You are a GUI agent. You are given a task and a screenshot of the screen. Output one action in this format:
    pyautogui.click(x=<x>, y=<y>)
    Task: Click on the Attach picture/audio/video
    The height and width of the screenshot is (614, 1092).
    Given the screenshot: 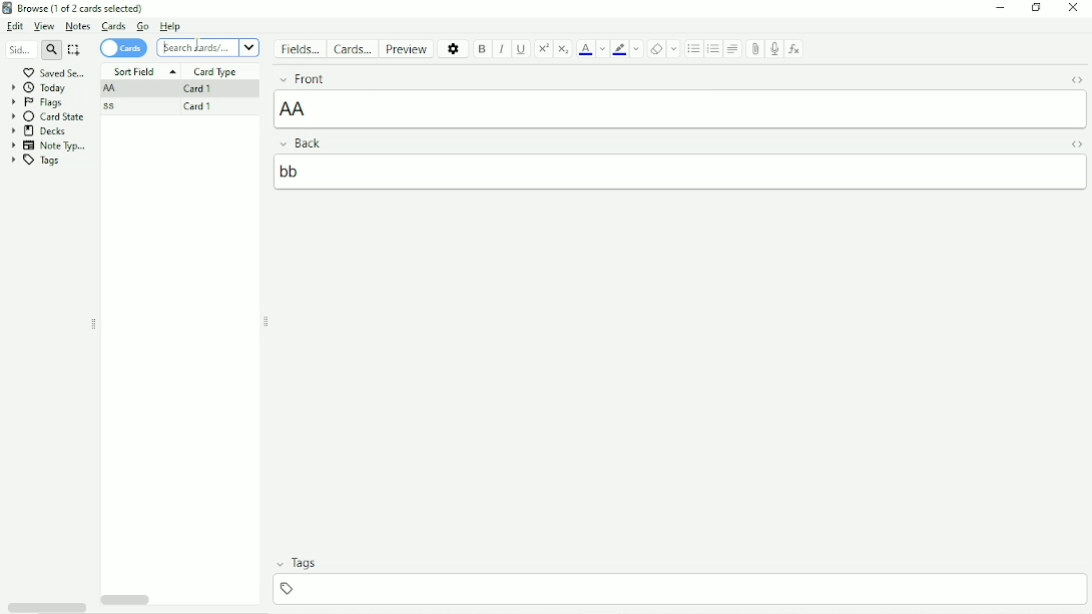 What is the action you would take?
    pyautogui.click(x=755, y=48)
    